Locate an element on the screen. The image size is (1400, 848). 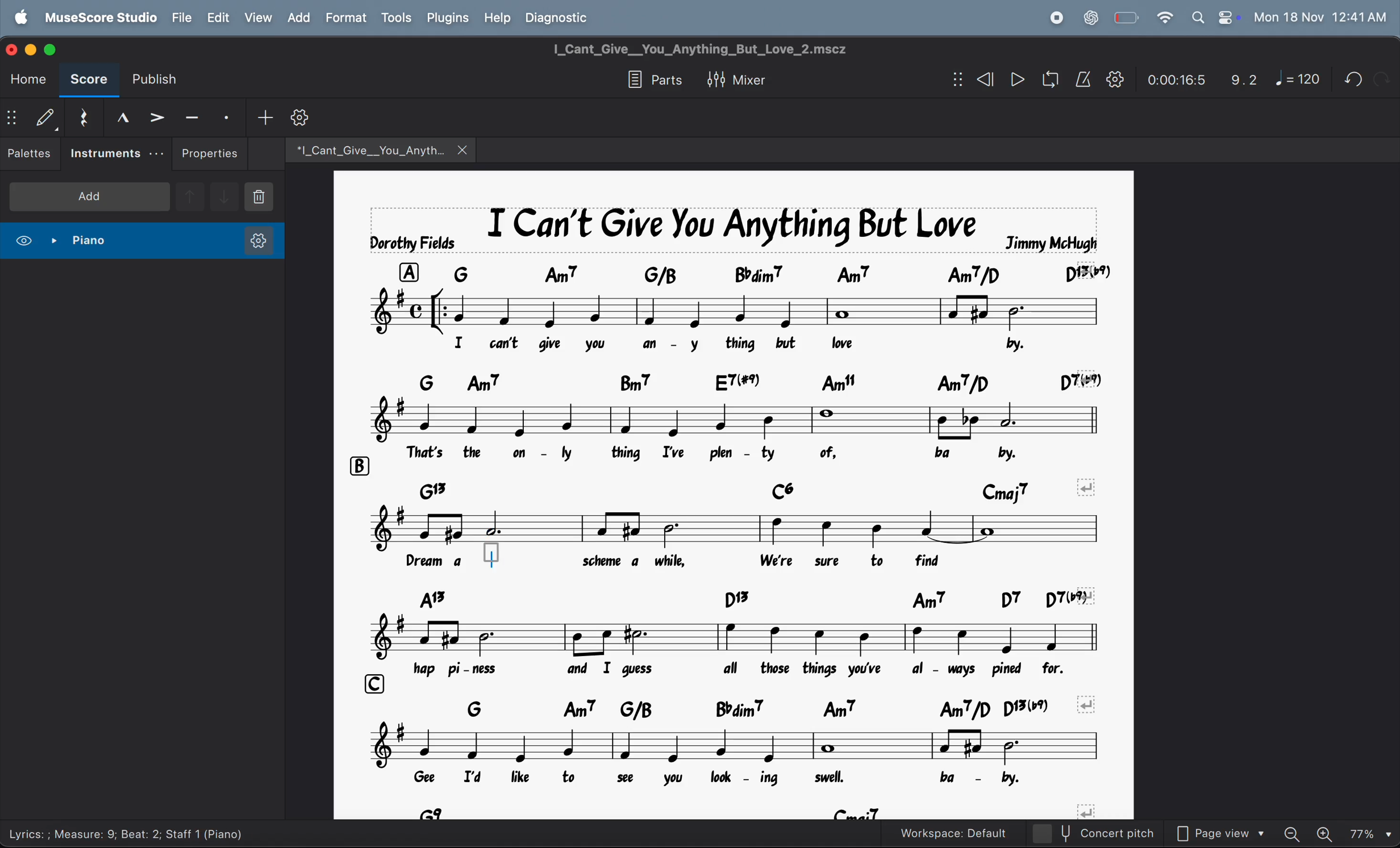
add is located at coordinates (263, 116).